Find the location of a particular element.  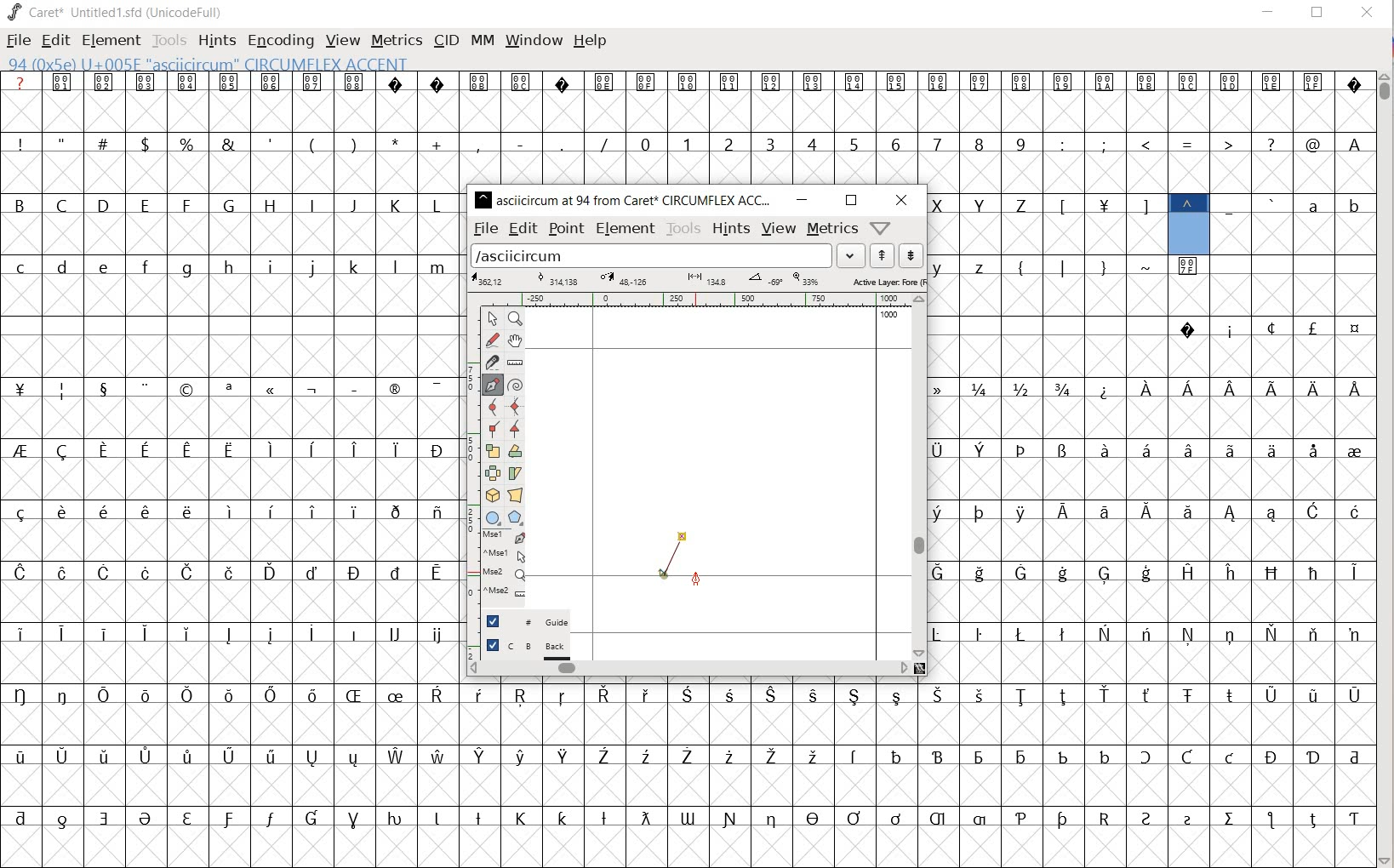

polygon or star is located at coordinates (515, 517).